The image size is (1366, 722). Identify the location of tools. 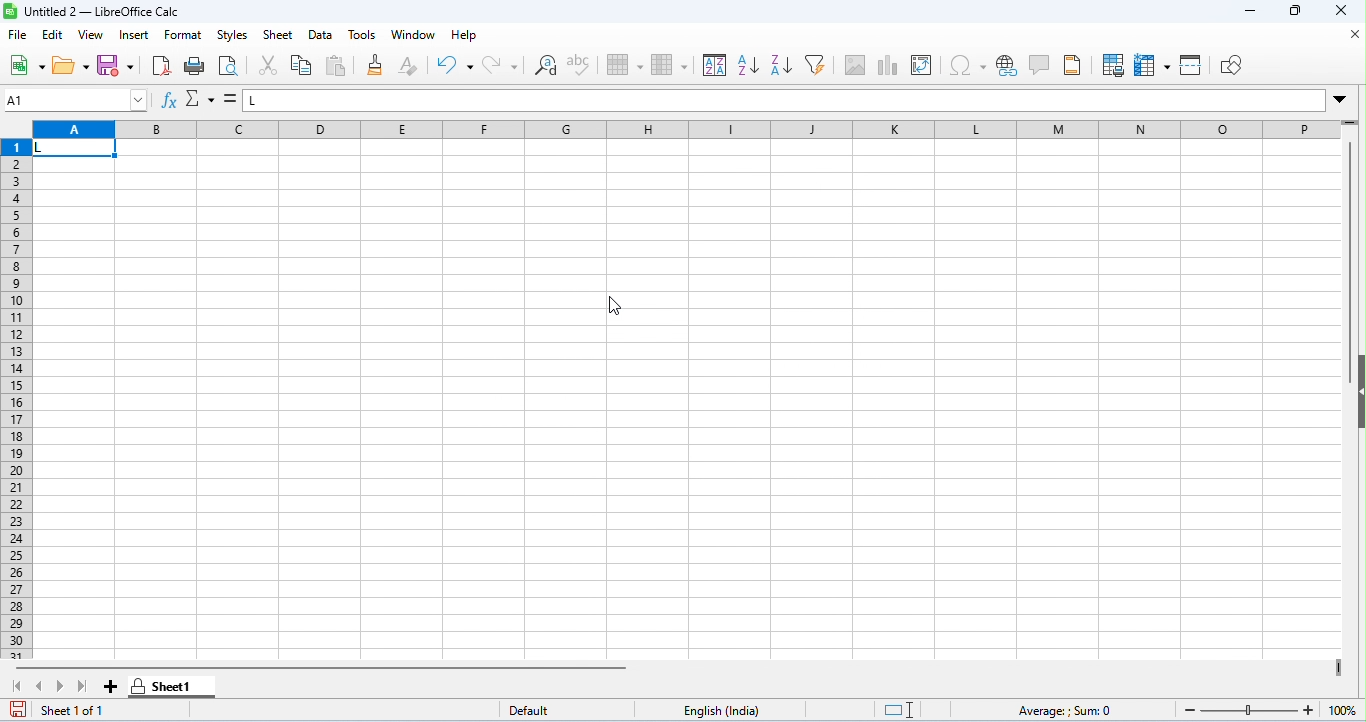
(364, 35).